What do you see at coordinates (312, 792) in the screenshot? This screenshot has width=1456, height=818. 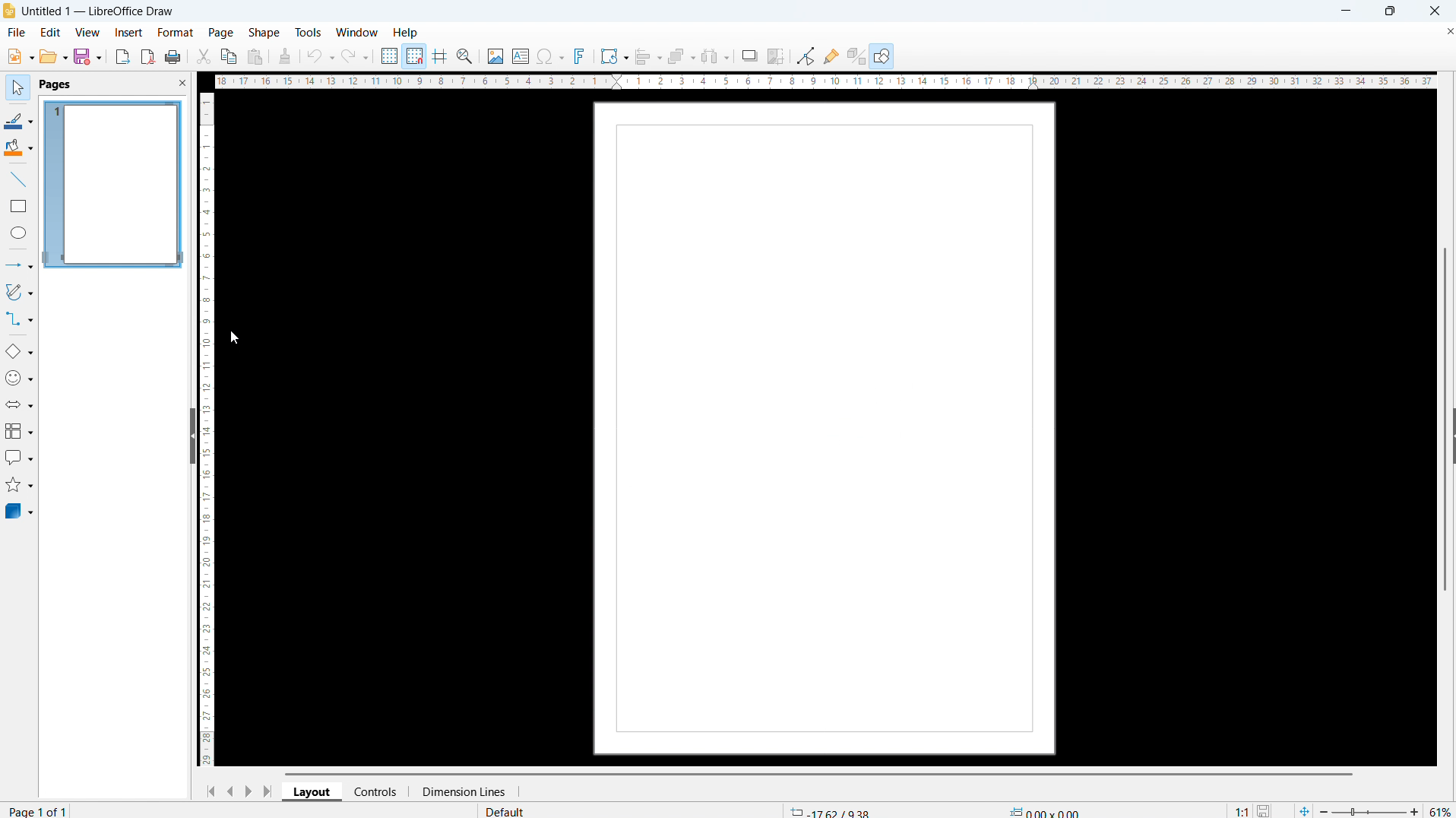 I see `layout` at bounding box center [312, 792].